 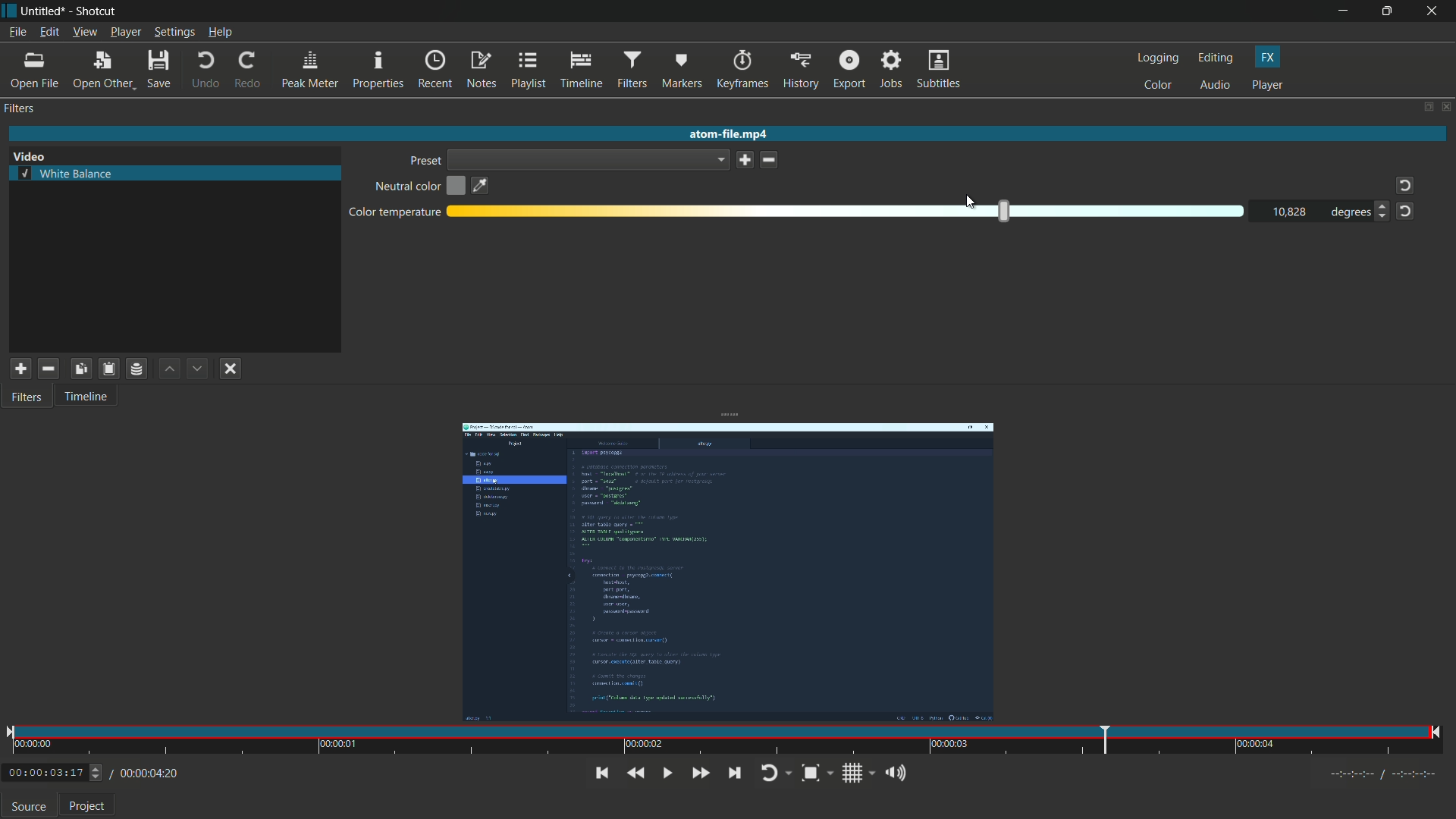 What do you see at coordinates (527, 71) in the screenshot?
I see `playlist` at bounding box center [527, 71].